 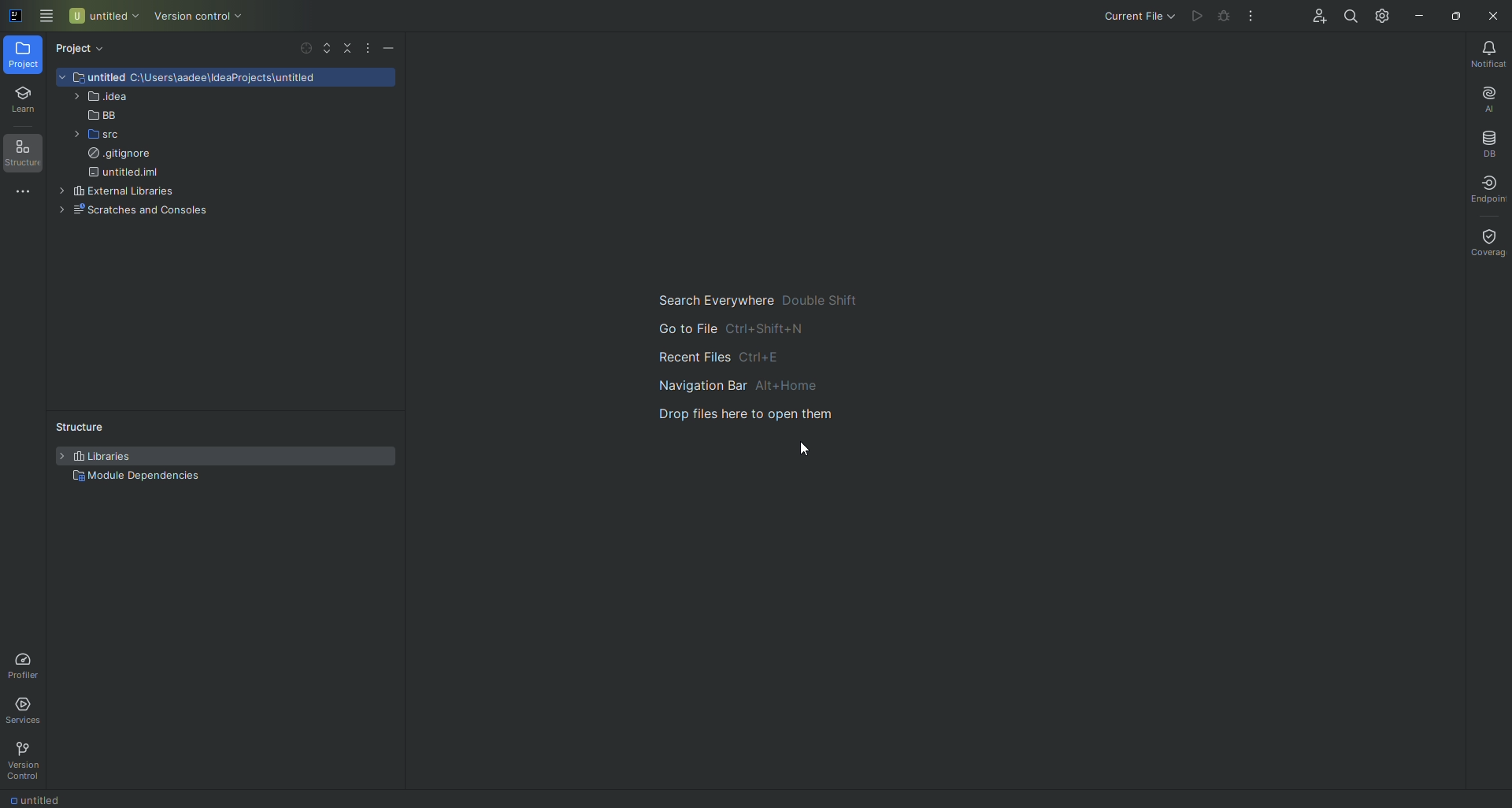 What do you see at coordinates (1417, 14) in the screenshot?
I see `Minimize` at bounding box center [1417, 14].